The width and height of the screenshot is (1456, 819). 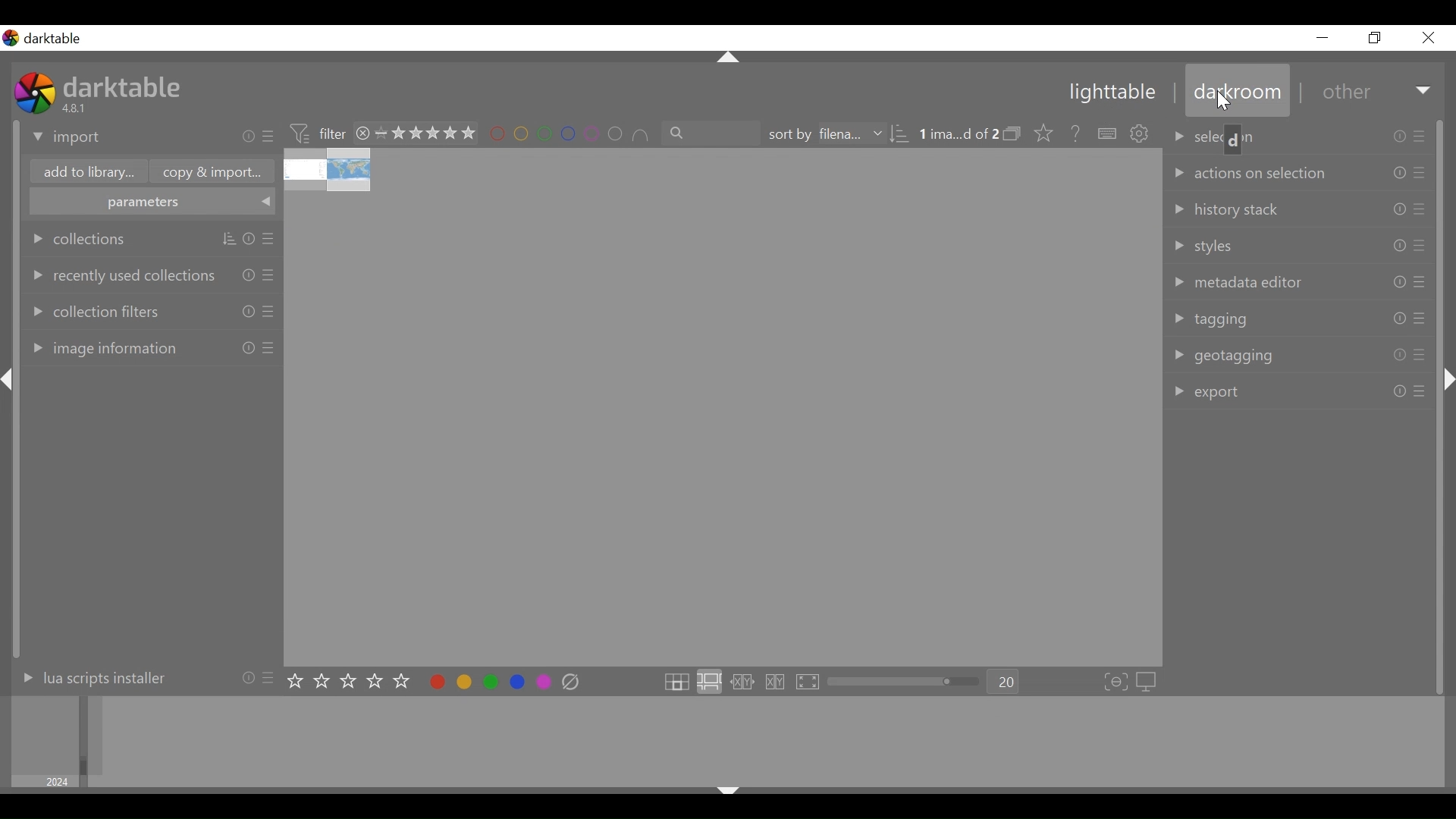 I want to click on click to enter full preview, so click(x=811, y=682).